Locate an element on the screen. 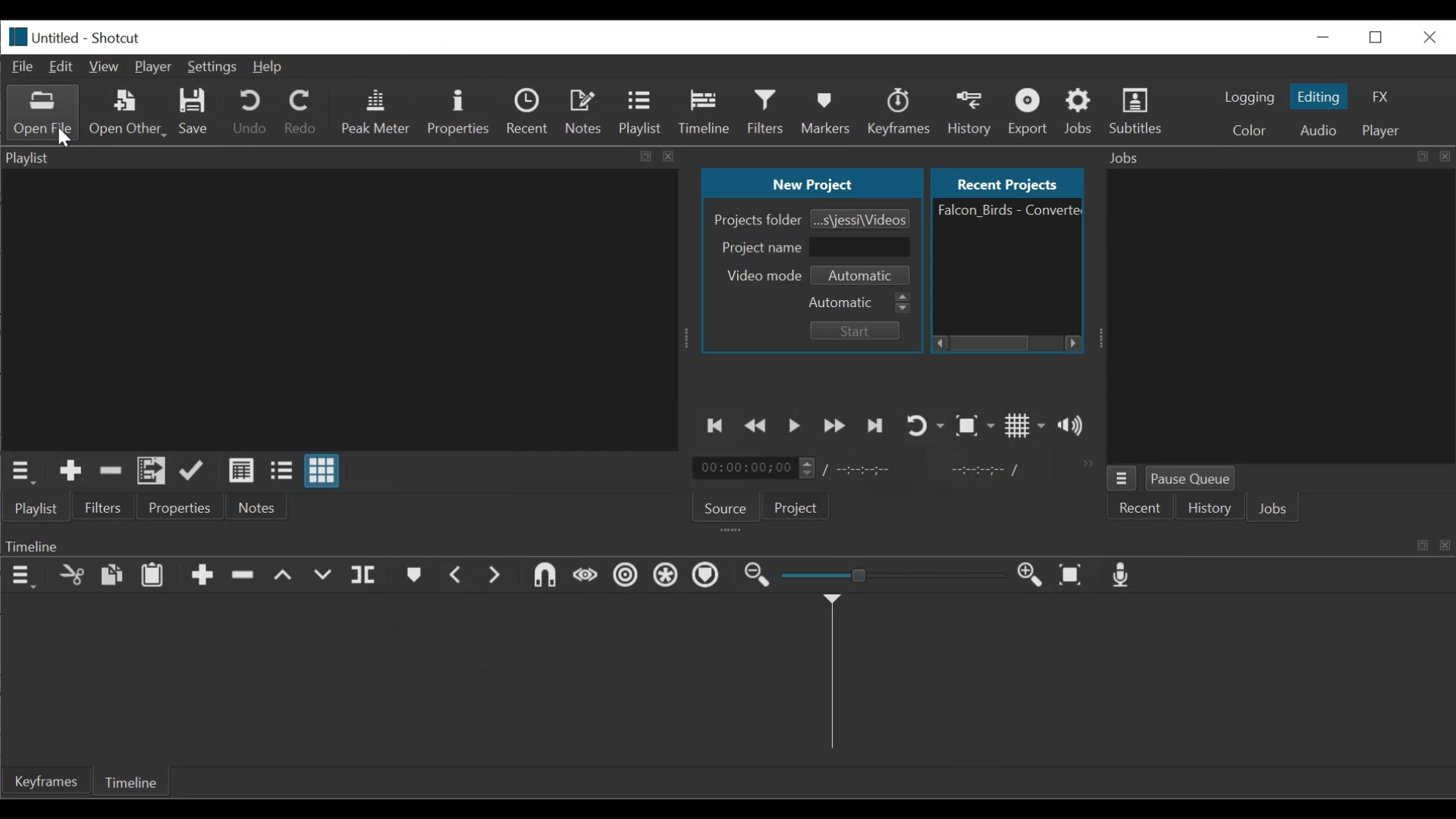  Untitled - Shotcut is located at coordinates (92, 38).